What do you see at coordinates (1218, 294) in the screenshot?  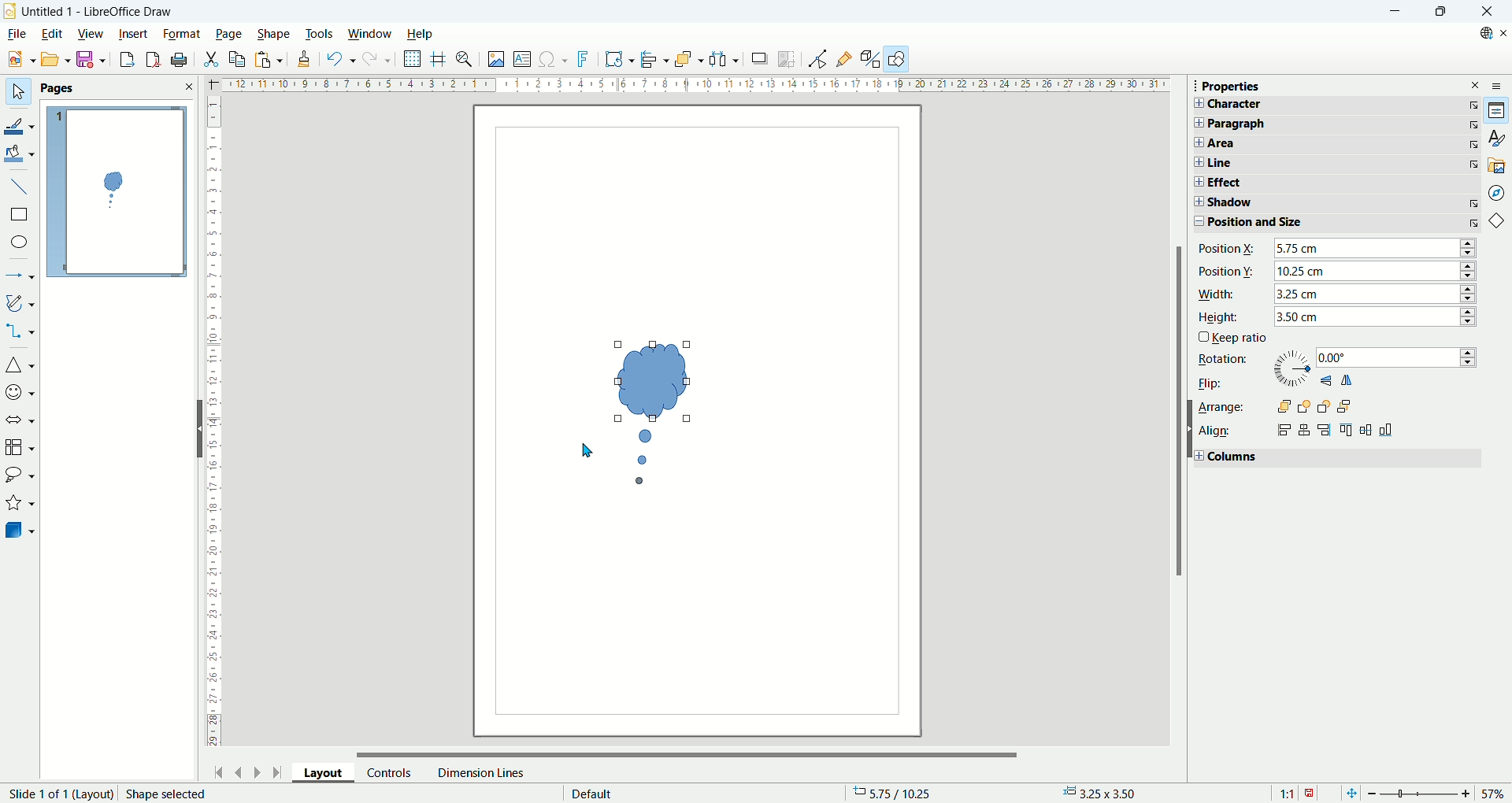 I see `Width` at bounding box center [1218, 294].